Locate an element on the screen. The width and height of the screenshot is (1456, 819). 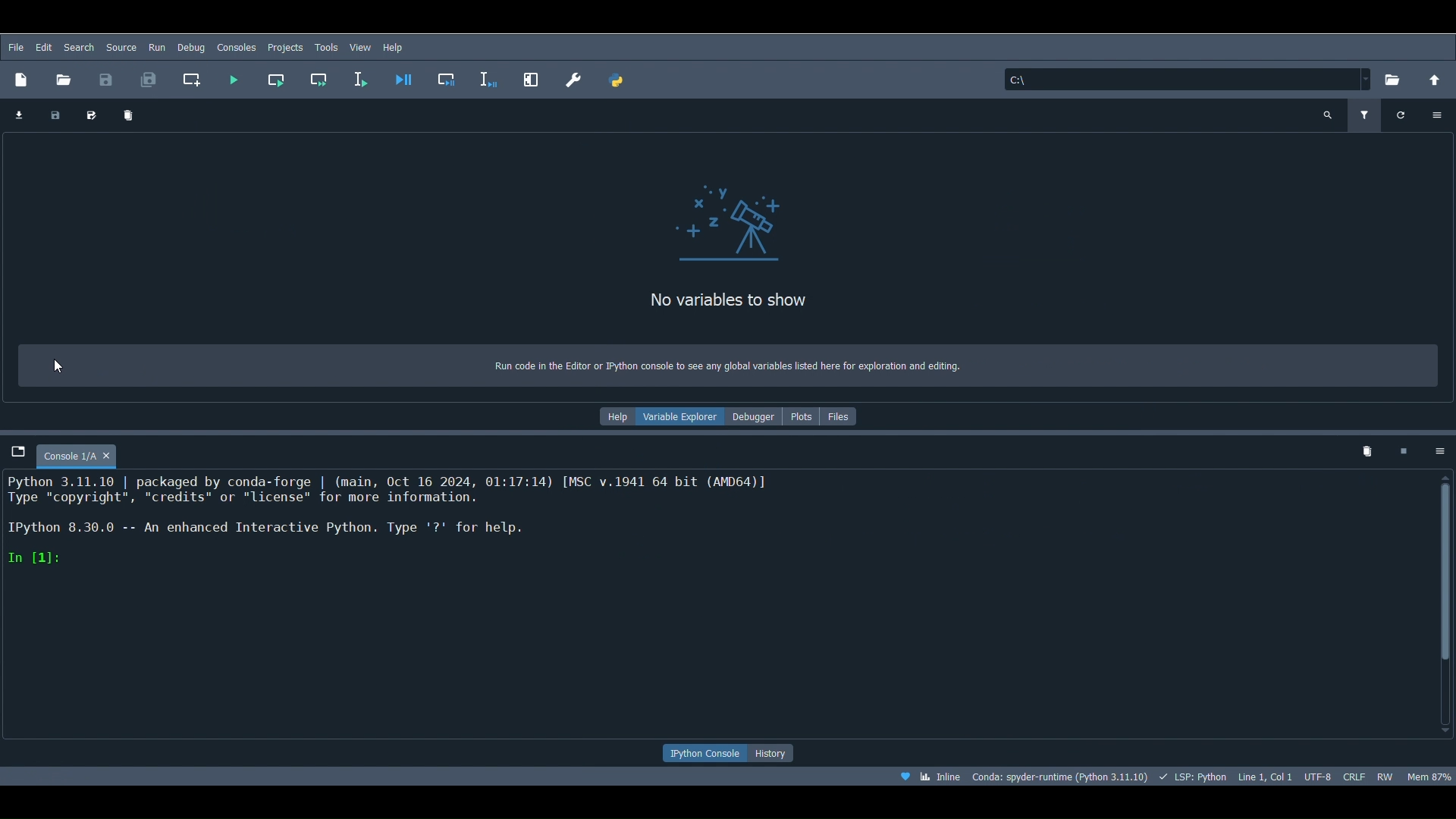
File EOL Status is located at coordinates (1356, 774).